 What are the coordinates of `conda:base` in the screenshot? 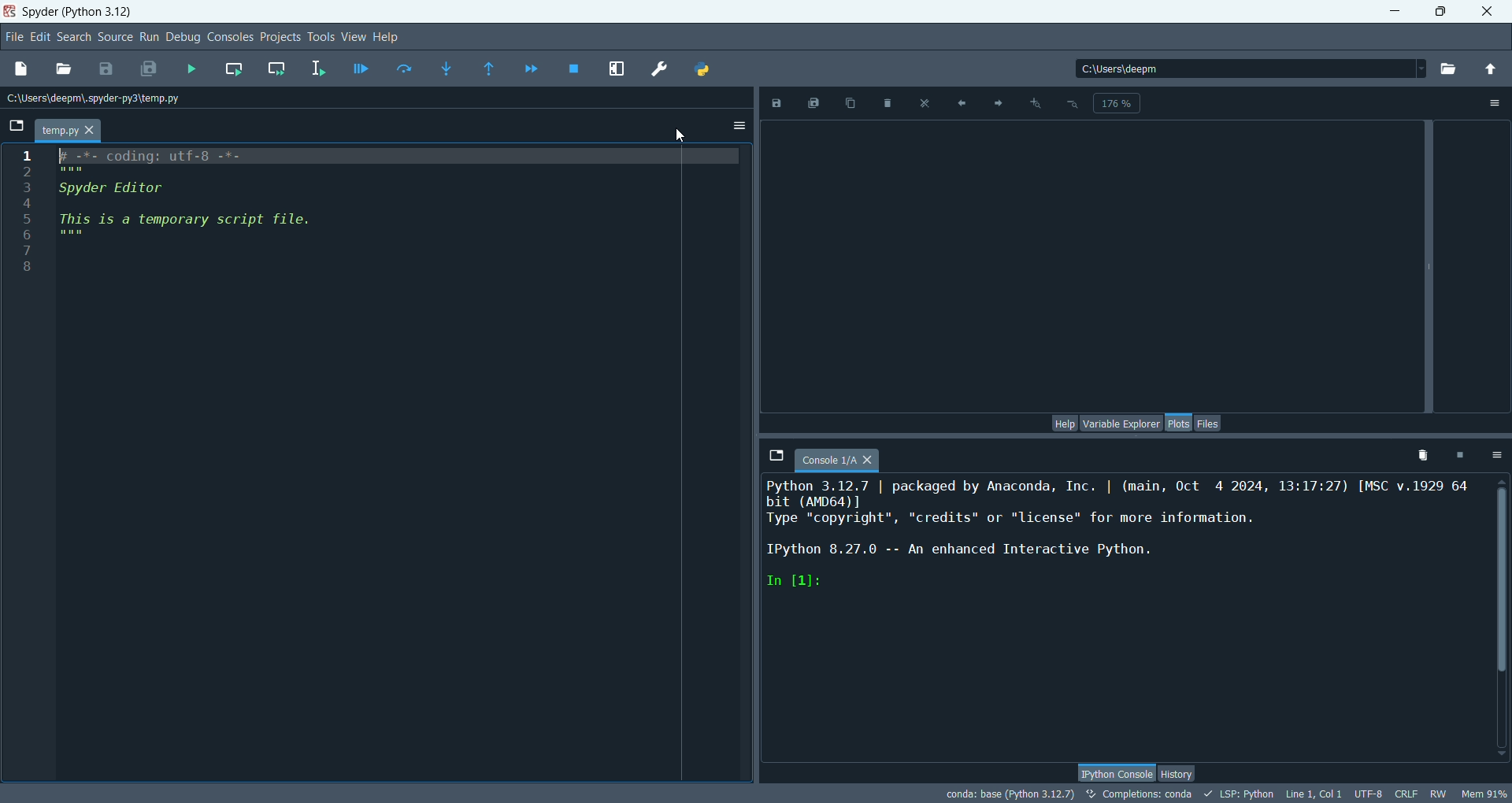 It's located at (1004, 793).